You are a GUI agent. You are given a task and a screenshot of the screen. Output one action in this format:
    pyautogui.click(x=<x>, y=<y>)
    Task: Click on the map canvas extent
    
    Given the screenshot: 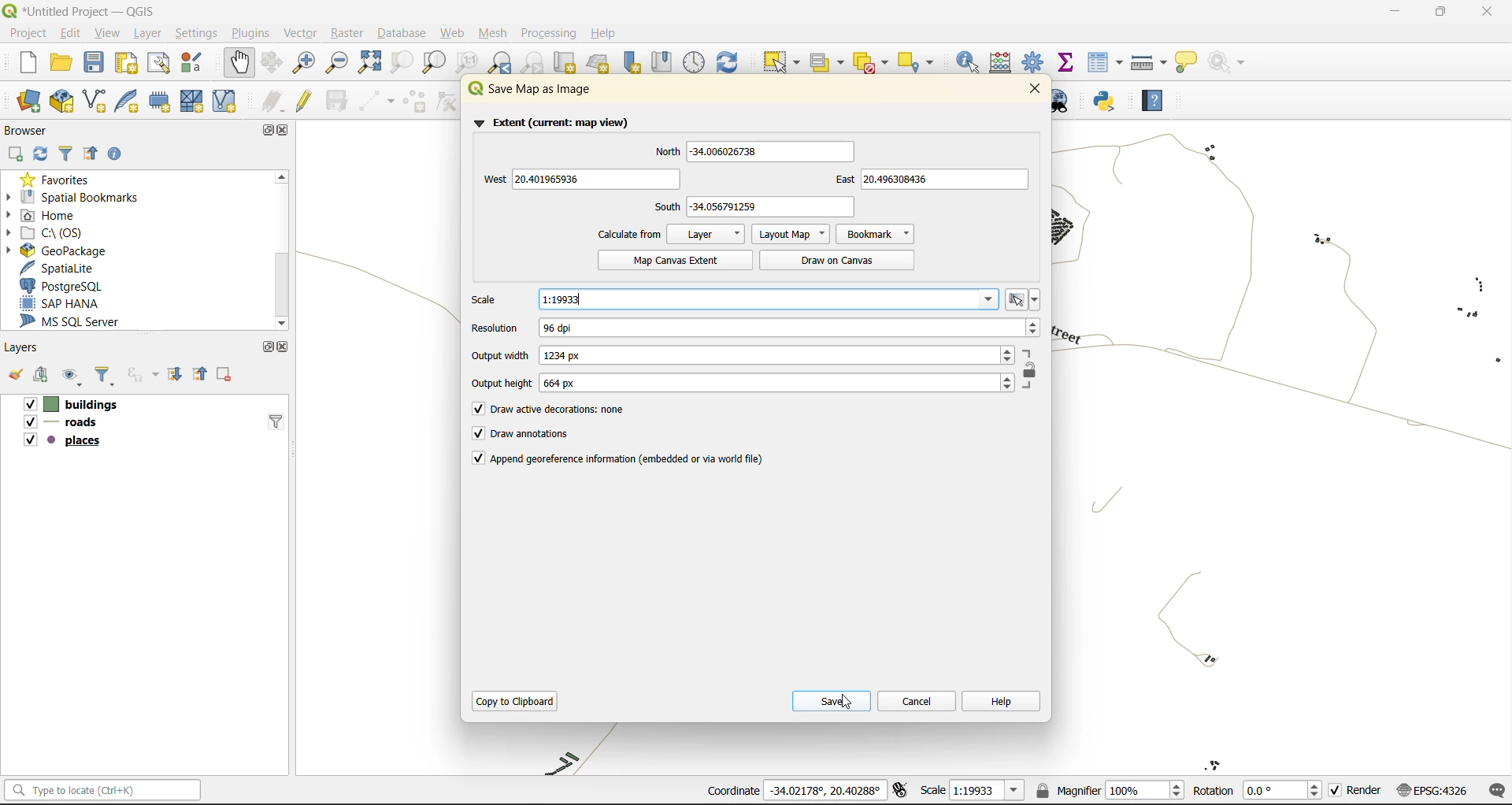 What is the action you would take?
    pyautogui.click(x=671, y=261)
    